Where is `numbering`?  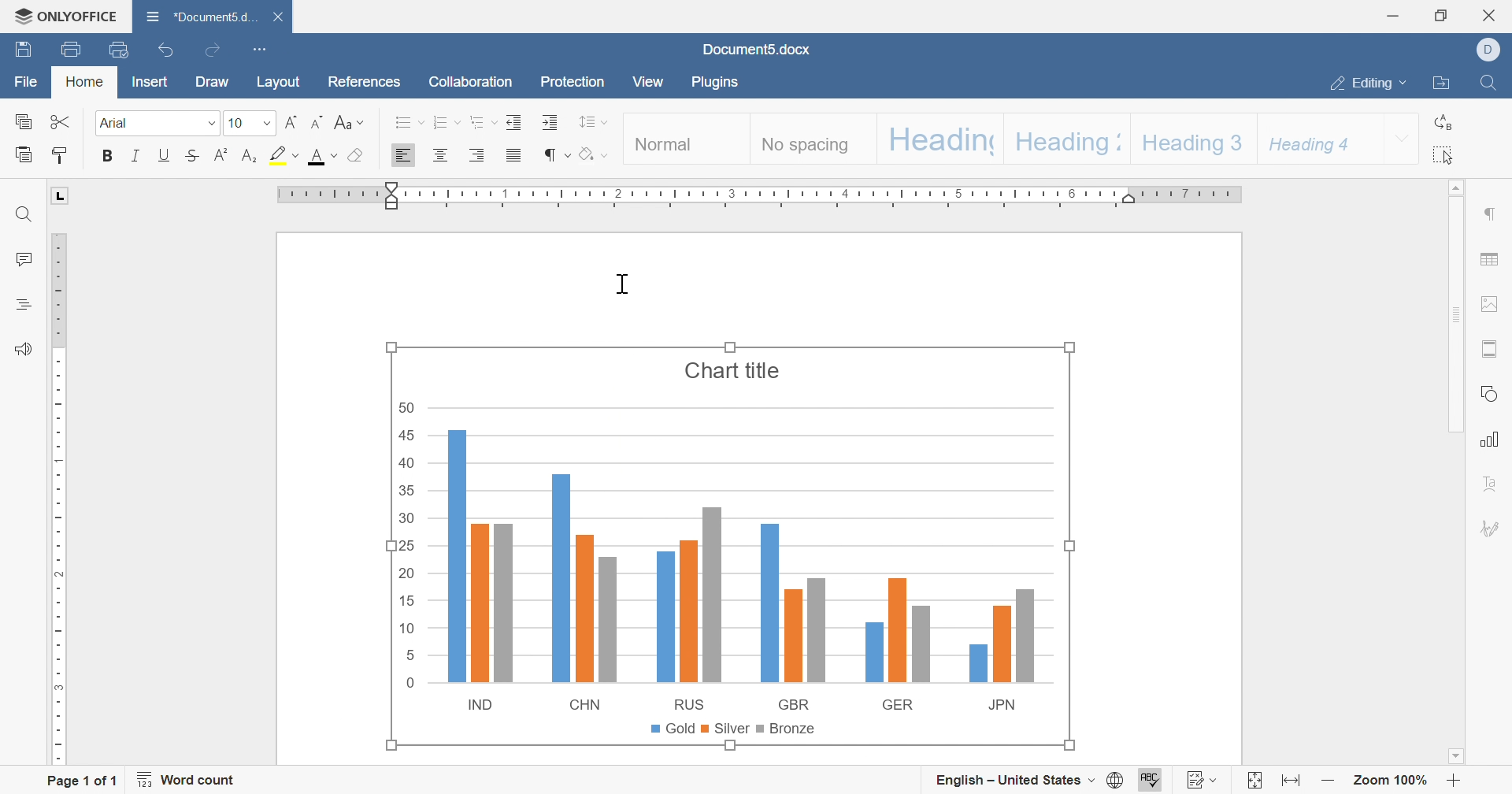 numbering is located at coordinates (445, 122).